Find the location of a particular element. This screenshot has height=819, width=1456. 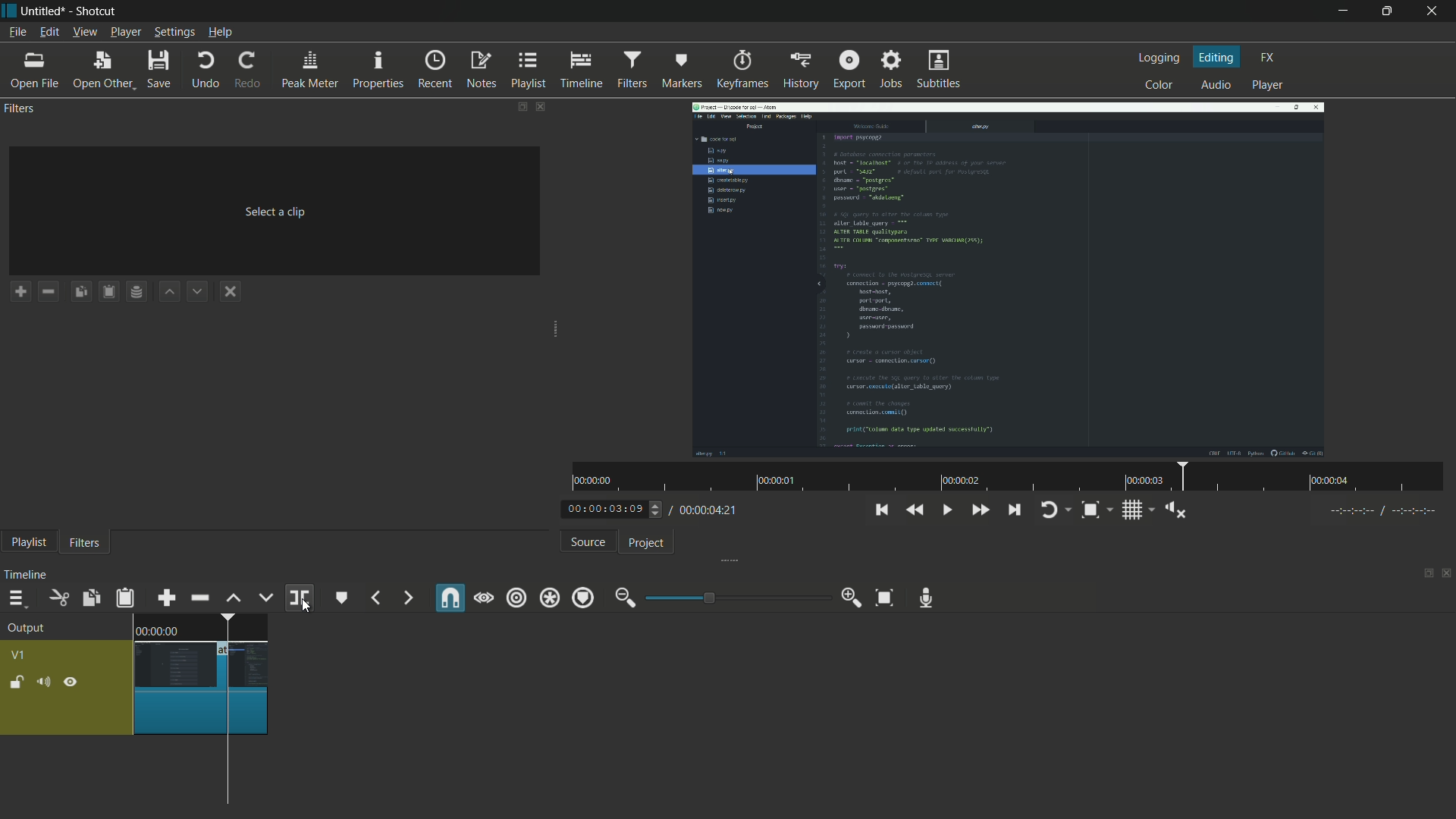

fx is located at coordinates (1268, 58).